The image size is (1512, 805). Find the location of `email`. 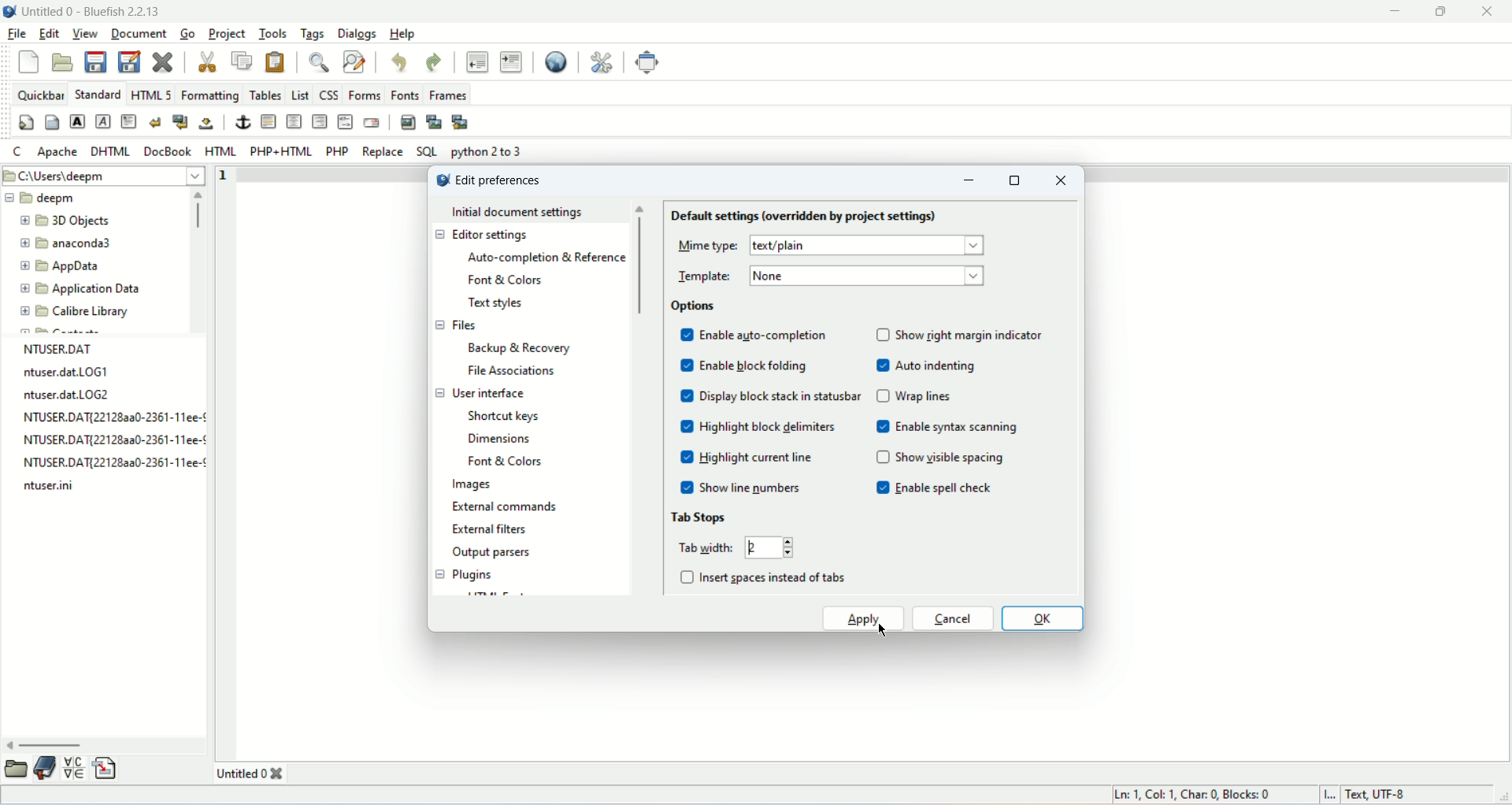

email is located at coordinates (372, 123).